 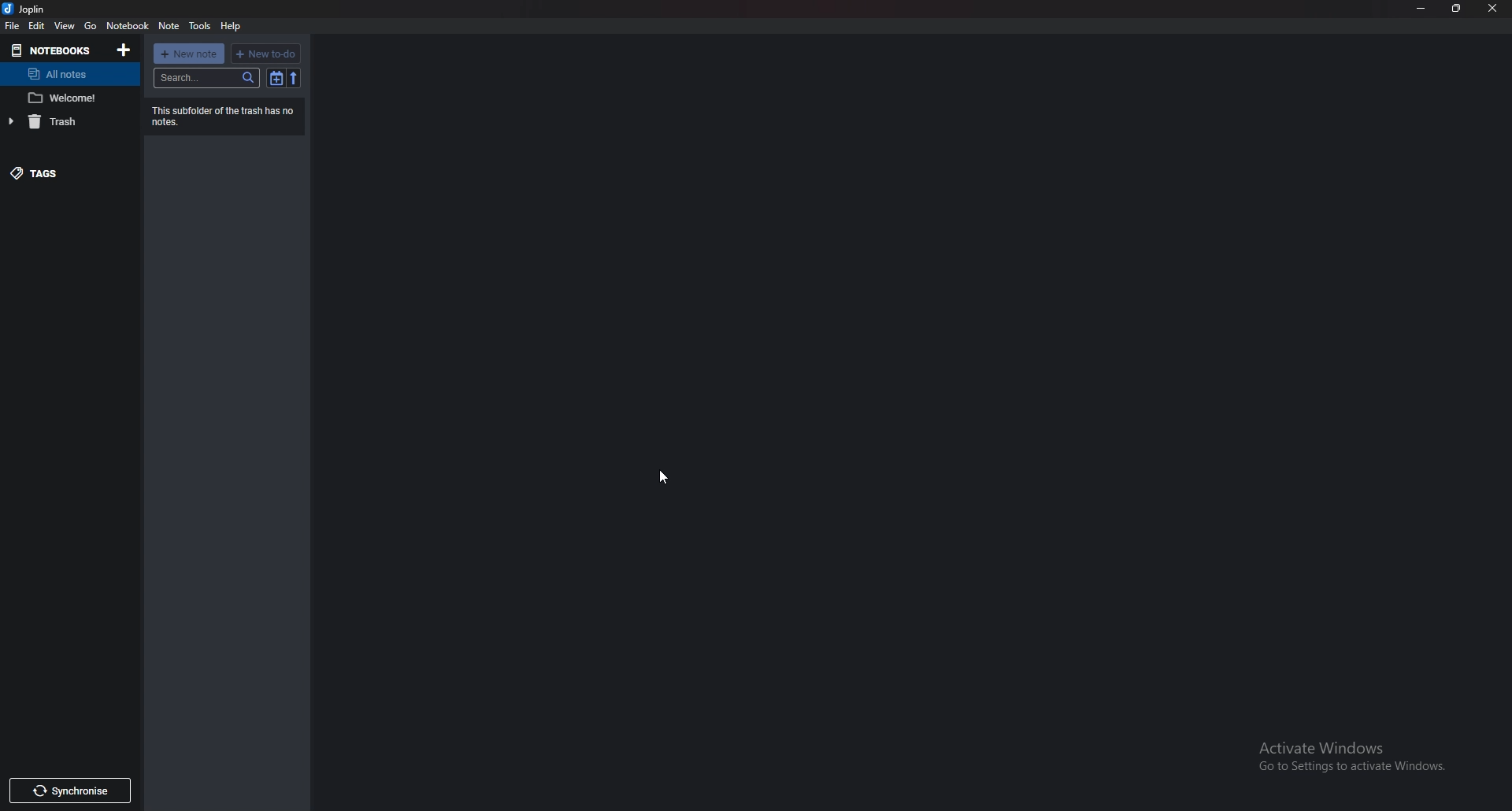 I want to click on note, so click(x=67, y=98).